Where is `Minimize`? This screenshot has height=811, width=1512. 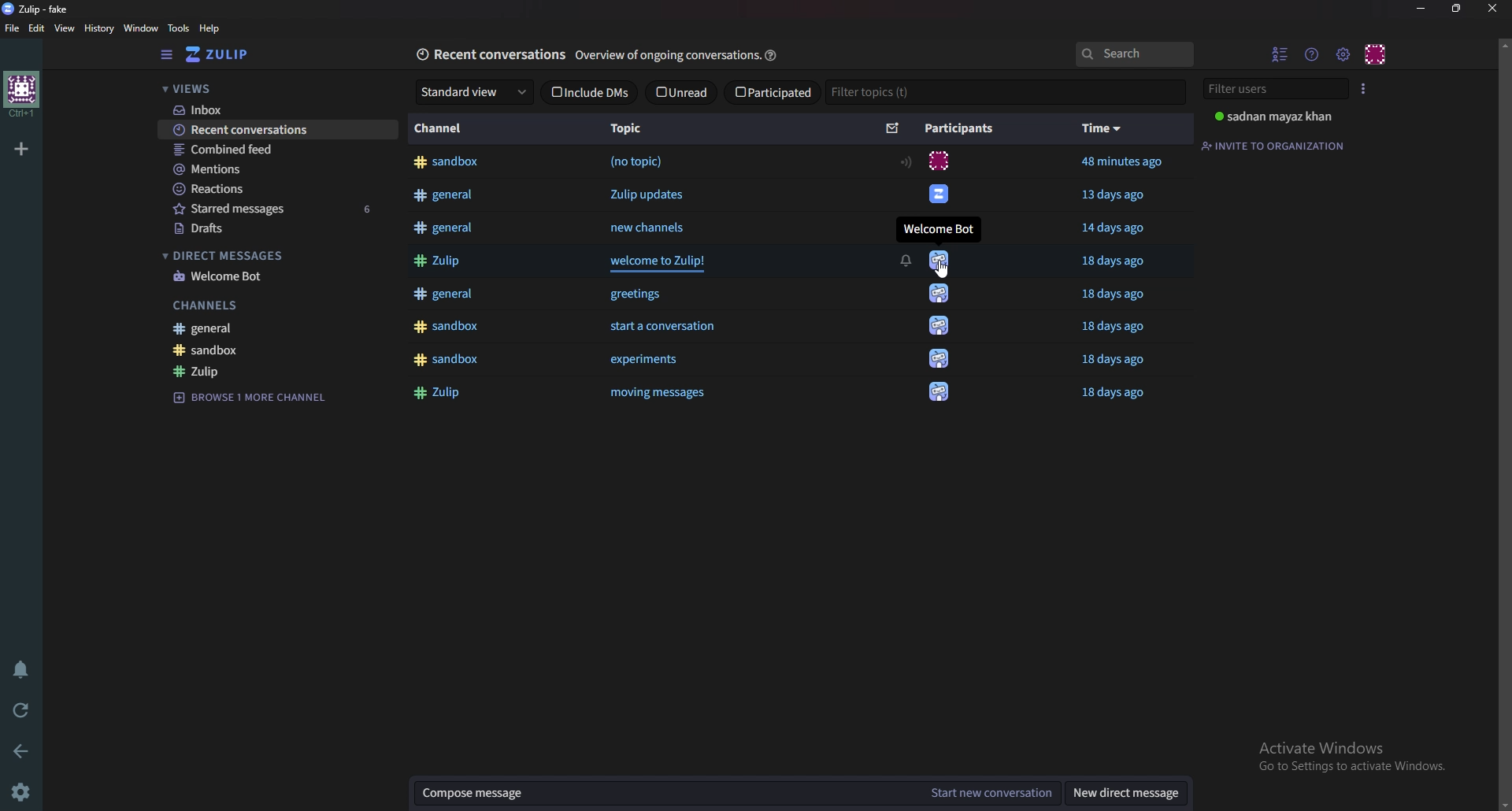
Minimize is located at coordinates (1421, 9).